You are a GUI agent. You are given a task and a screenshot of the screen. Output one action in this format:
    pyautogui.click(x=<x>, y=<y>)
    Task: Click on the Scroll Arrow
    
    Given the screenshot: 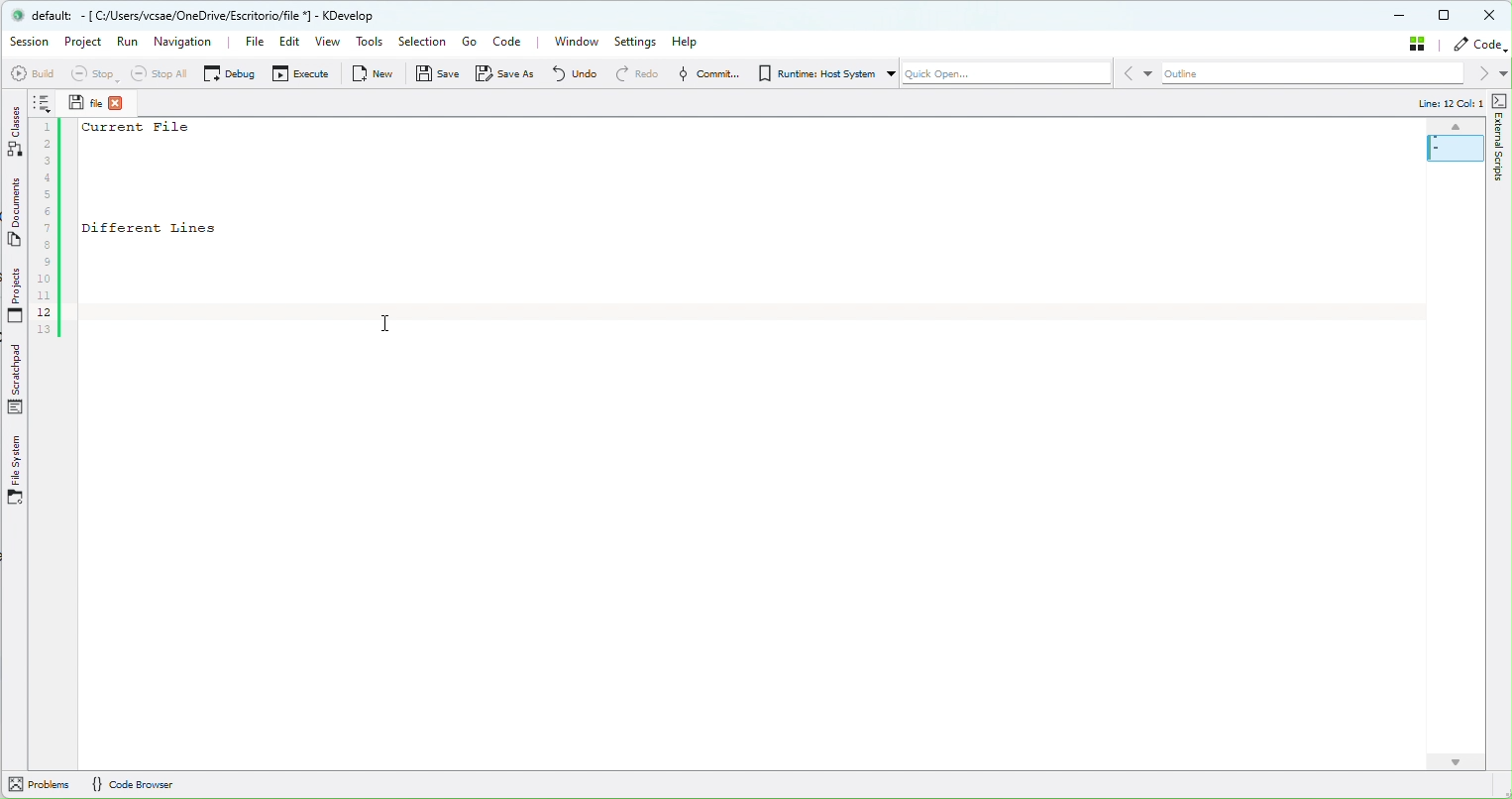 What is the action you would take?
    pyautogui.click(x=1453, y=760)
    